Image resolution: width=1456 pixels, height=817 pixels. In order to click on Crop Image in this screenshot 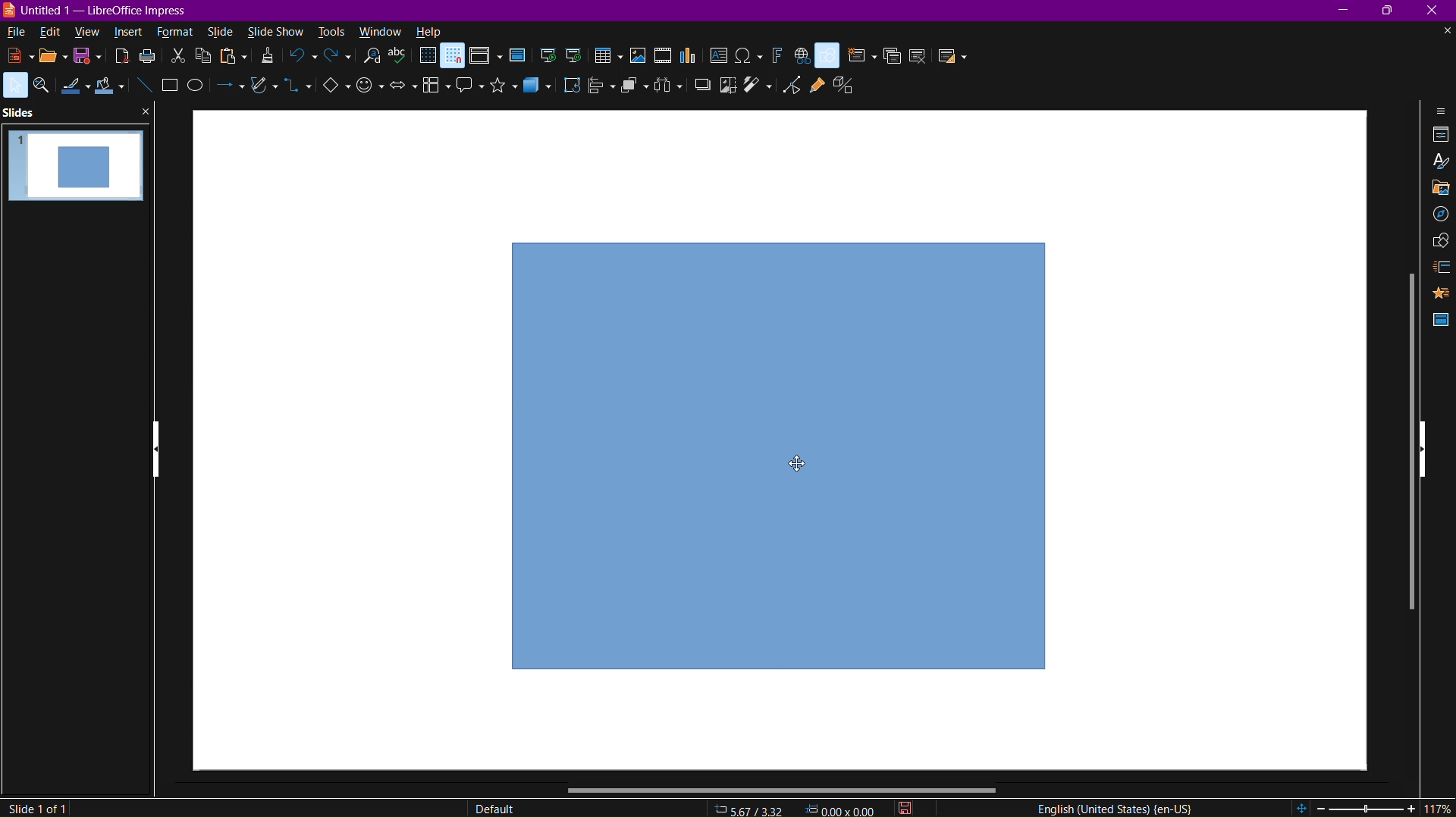, I will do `click(725, 89)`.